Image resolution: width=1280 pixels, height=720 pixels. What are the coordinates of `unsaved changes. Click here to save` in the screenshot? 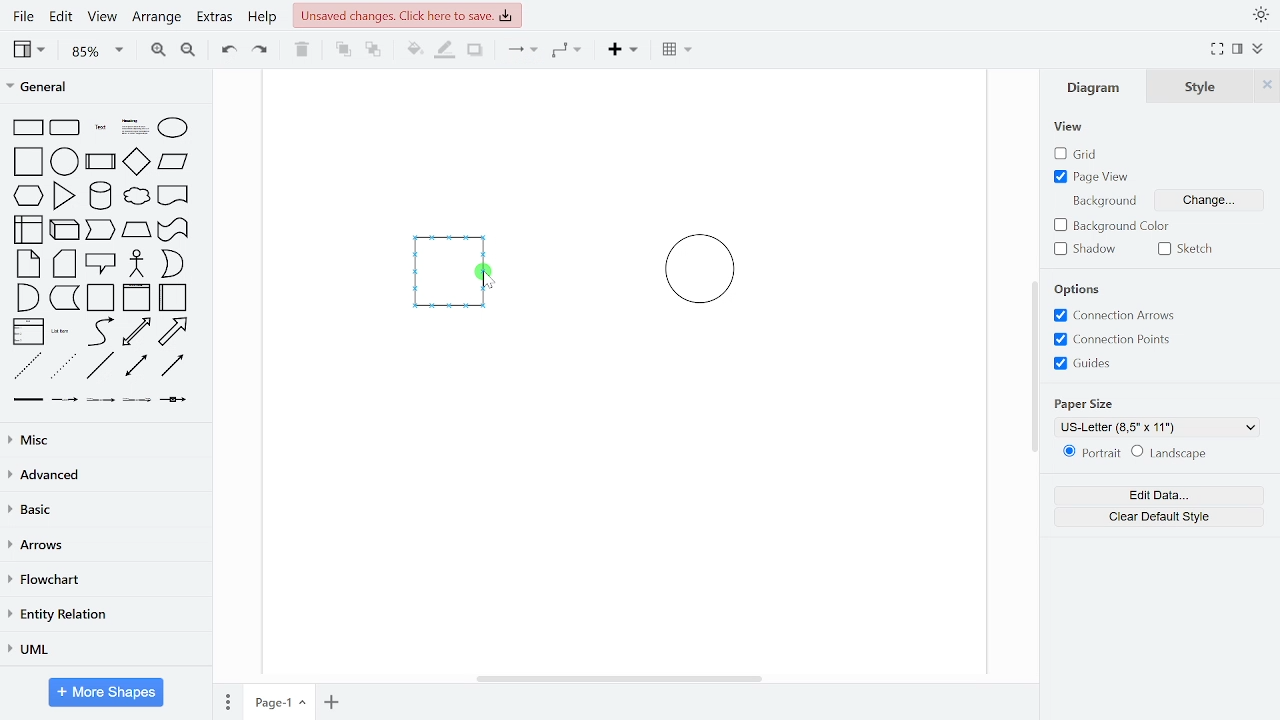 It's located at (408, 14).